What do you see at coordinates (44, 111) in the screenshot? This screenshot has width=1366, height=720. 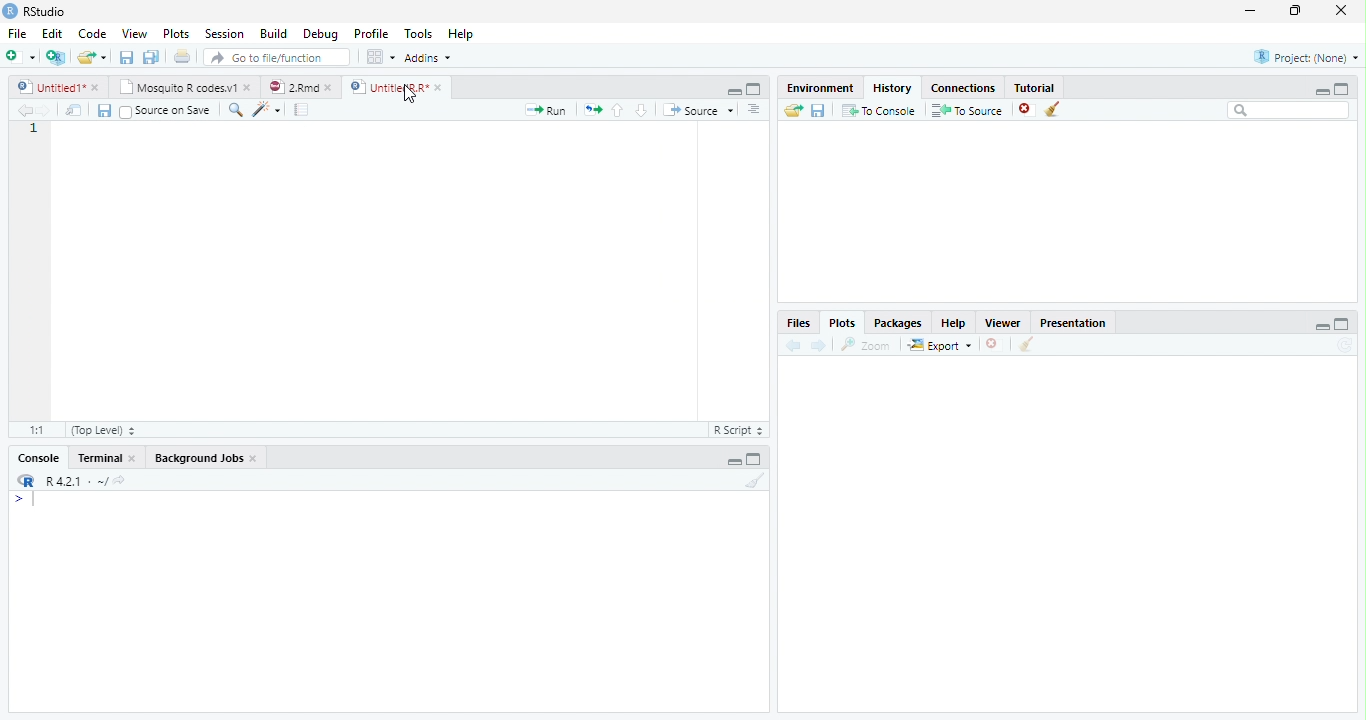 I see `Go forward to next source location` at bounding box center [44, 111].